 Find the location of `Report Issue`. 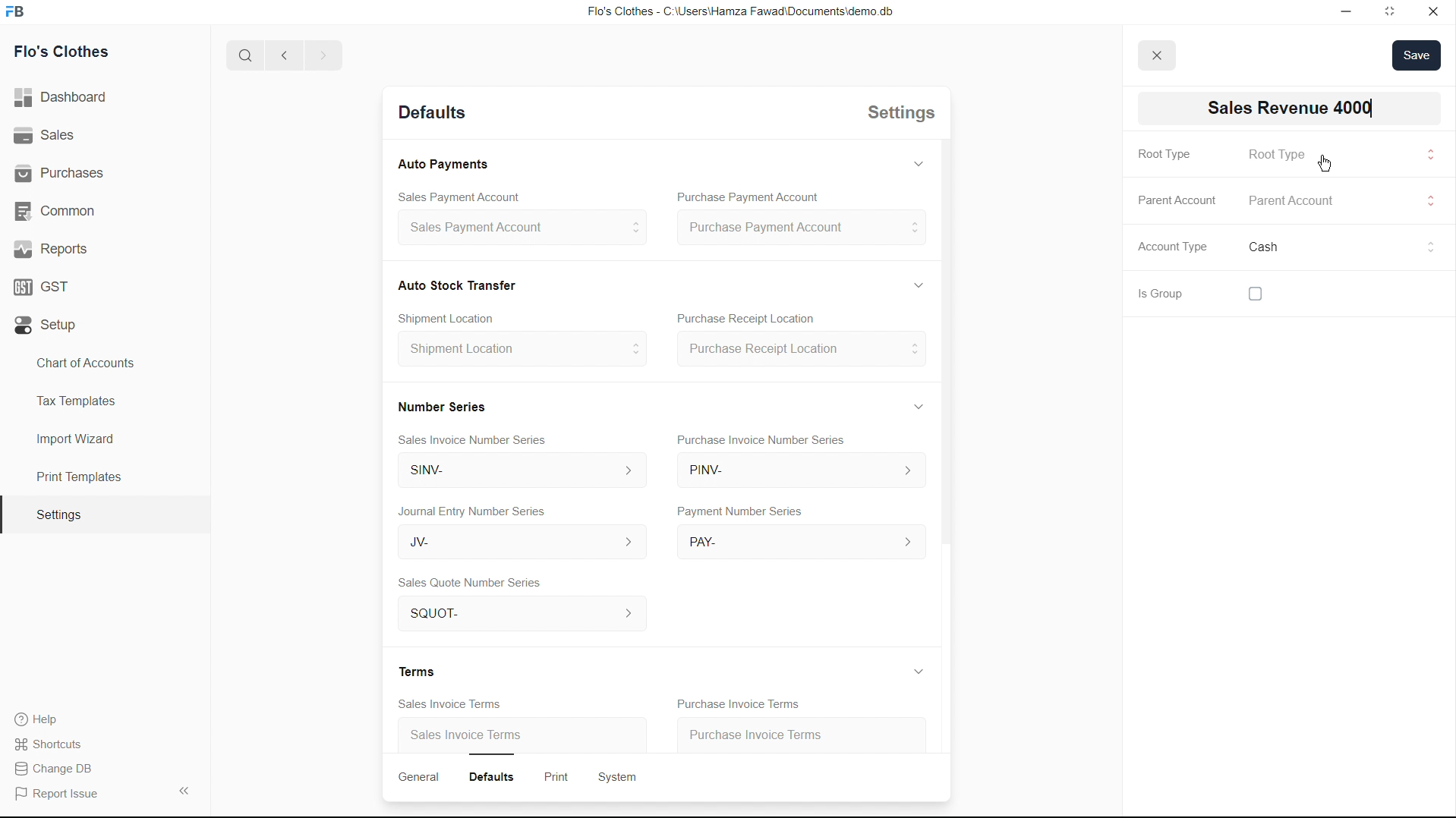

Report Issue is located at coordinates (61, 794).